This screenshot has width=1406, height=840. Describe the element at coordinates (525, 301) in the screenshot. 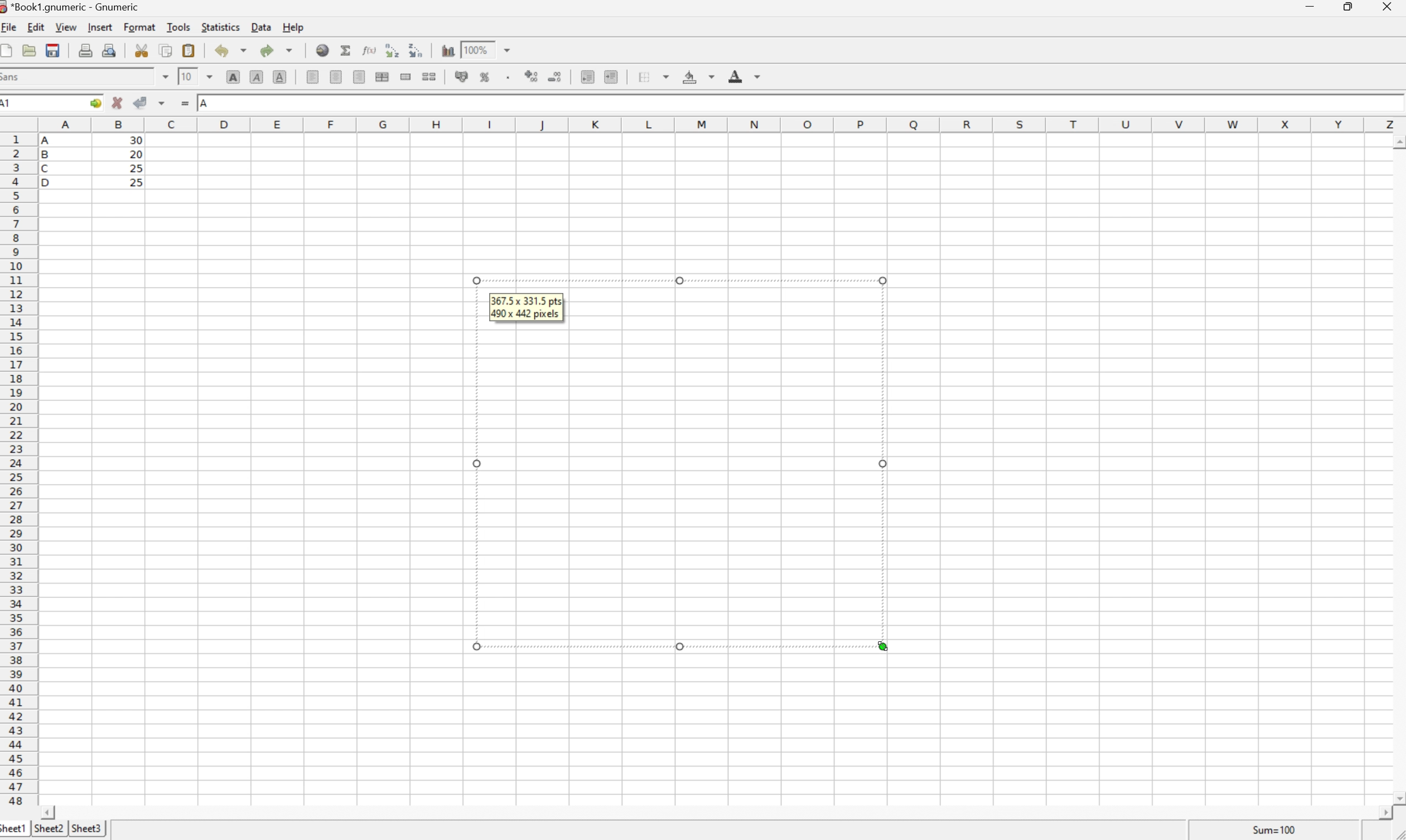

I see `367.5*331.5 pts` at that location.